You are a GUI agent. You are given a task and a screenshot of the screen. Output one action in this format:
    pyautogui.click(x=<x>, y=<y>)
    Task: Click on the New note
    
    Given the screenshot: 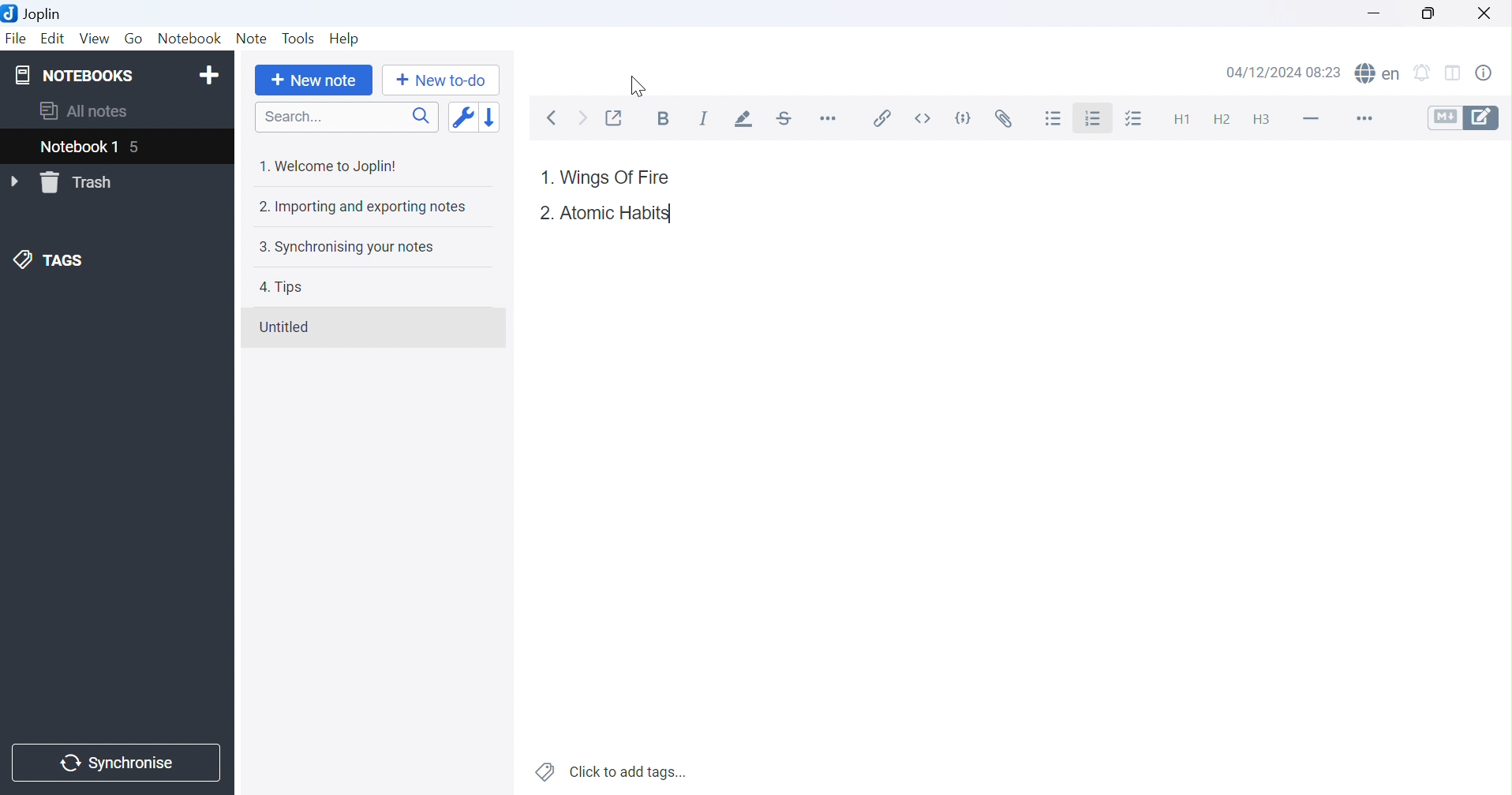 What is the action you would take?
    pyautogui.click(x=314, y=81)
    